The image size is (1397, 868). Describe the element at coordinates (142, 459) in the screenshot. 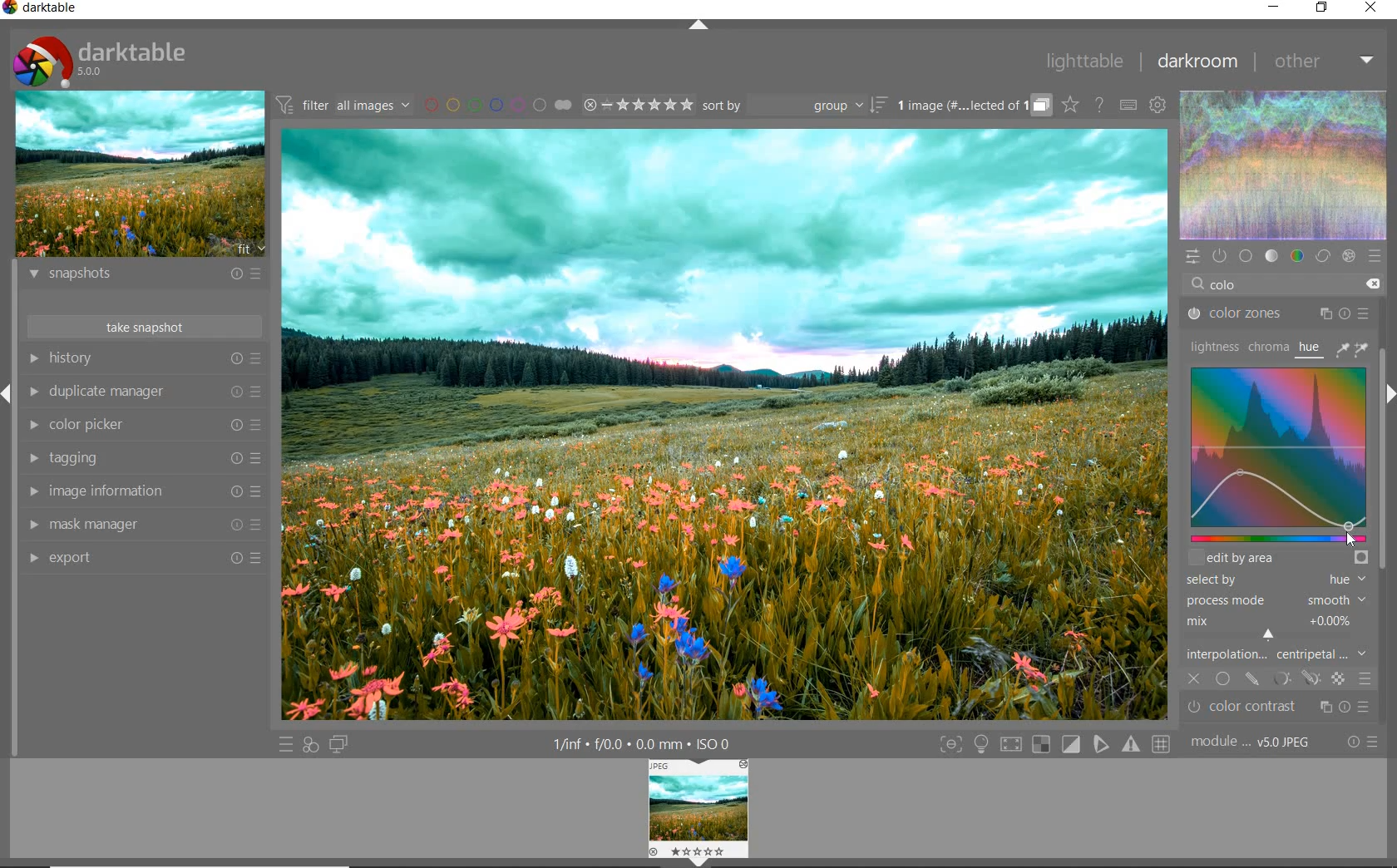

I see `tagging` at that location.